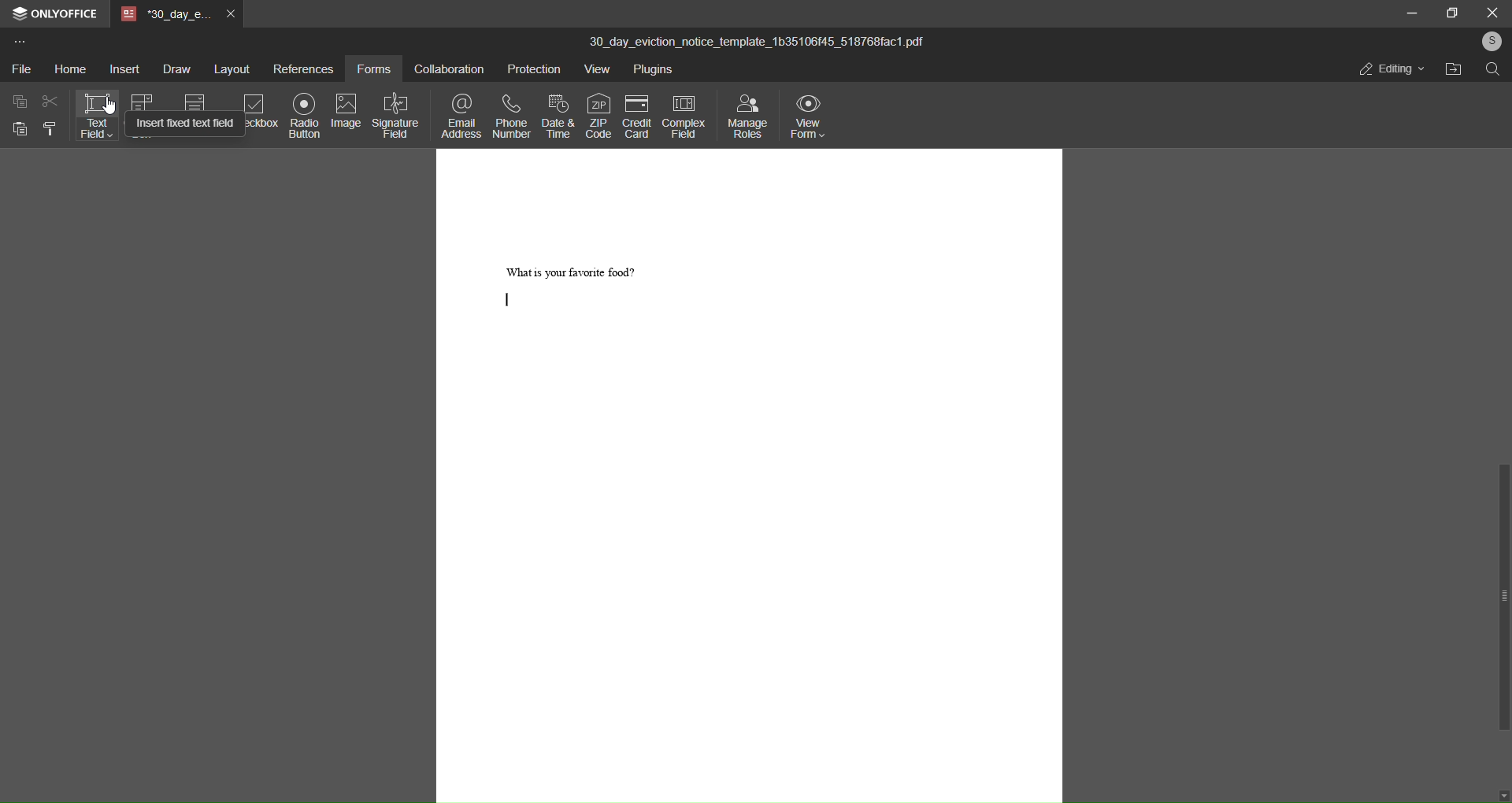 The width and height of the screenshot is (1512, 803). I want to click on insert field text, so click(183, 124).